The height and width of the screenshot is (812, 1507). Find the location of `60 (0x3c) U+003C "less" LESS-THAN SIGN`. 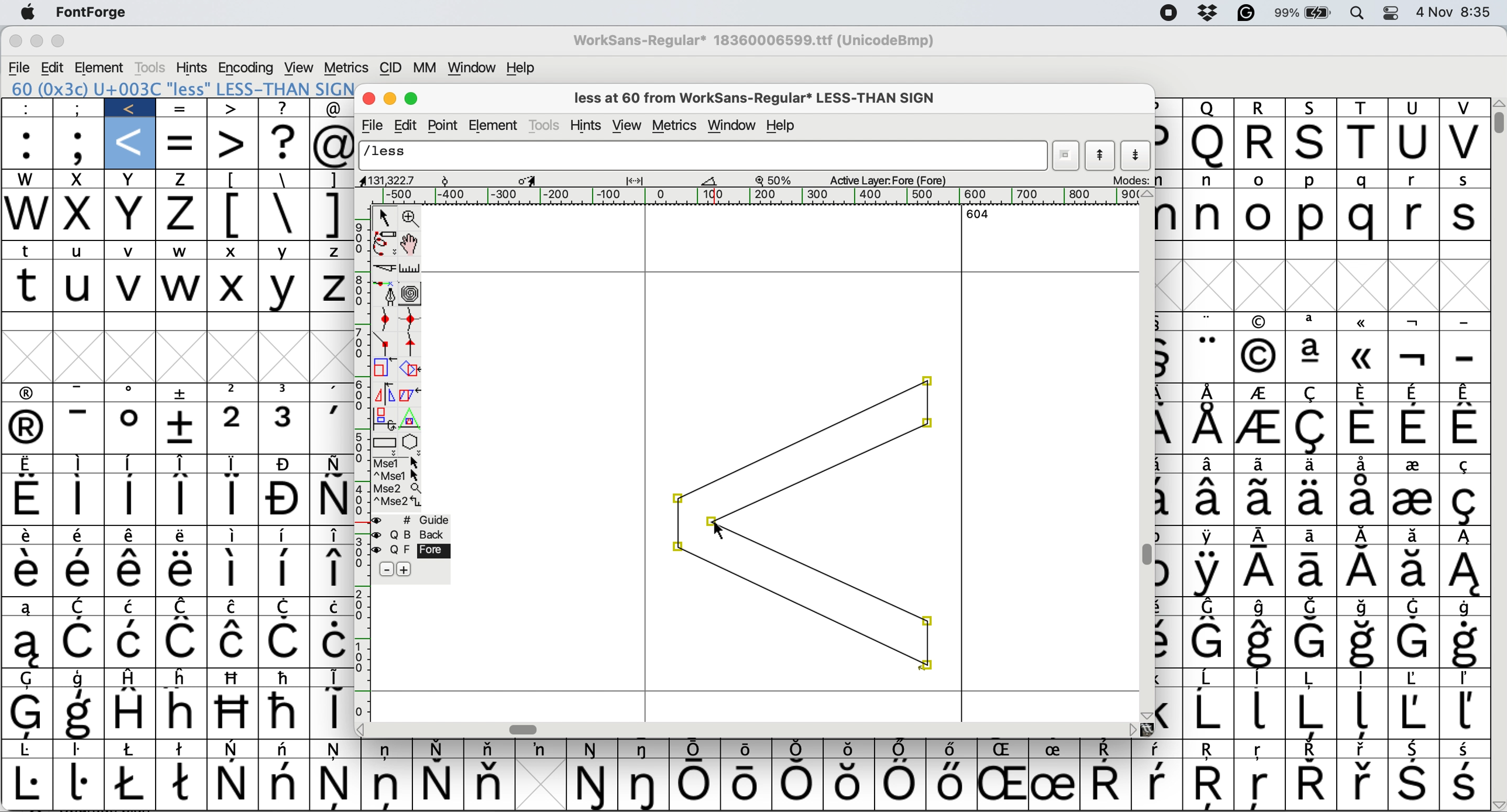

60 (0x3c) U+003C "less" LESS-THAN SIGN is located at coordinates (181, 88).